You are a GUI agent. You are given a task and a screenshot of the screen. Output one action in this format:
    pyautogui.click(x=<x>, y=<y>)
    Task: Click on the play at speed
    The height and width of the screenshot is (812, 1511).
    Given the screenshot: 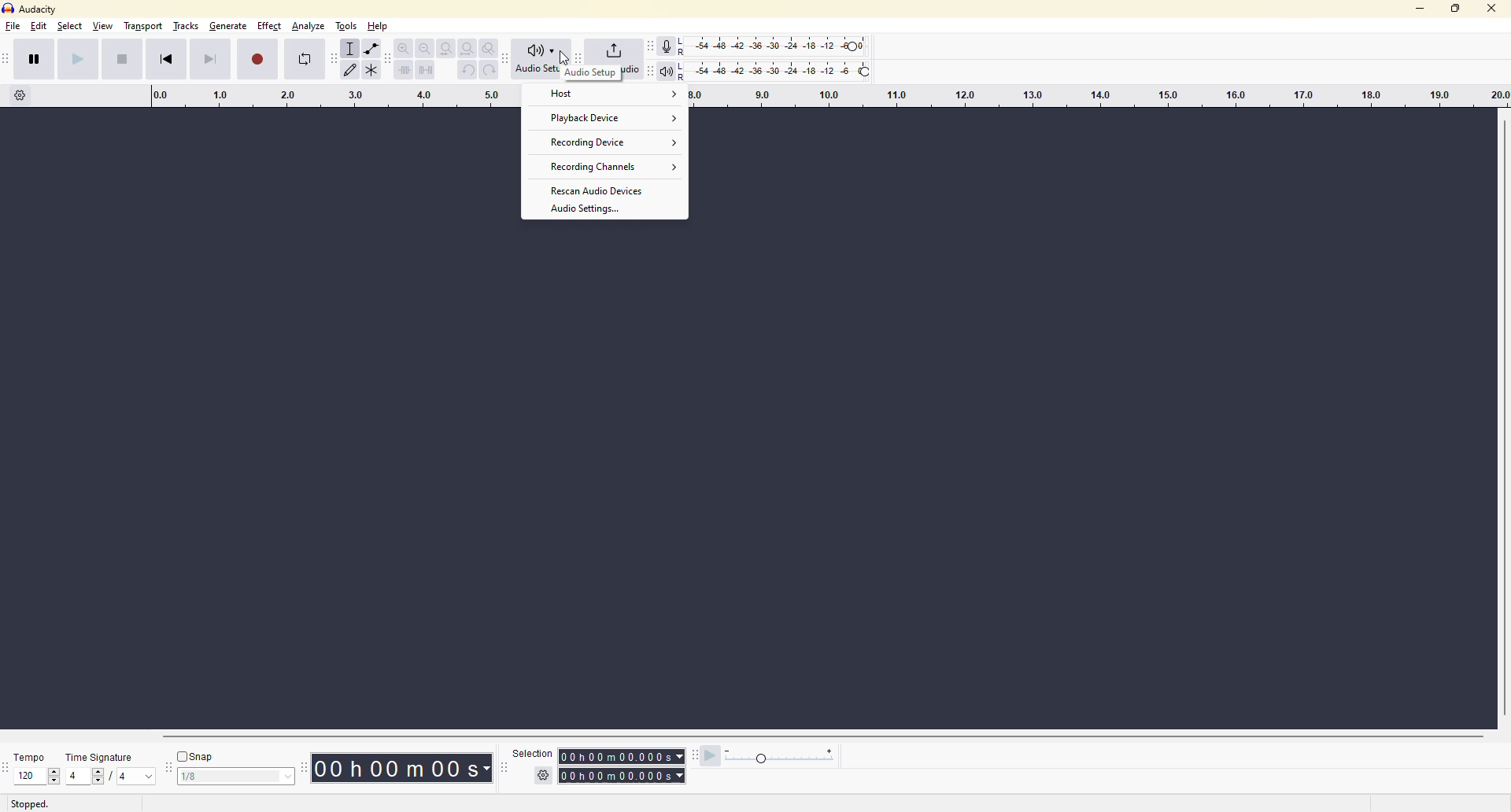 What is the action you would take?
    pyautogui.click(x=707, y=764)
    